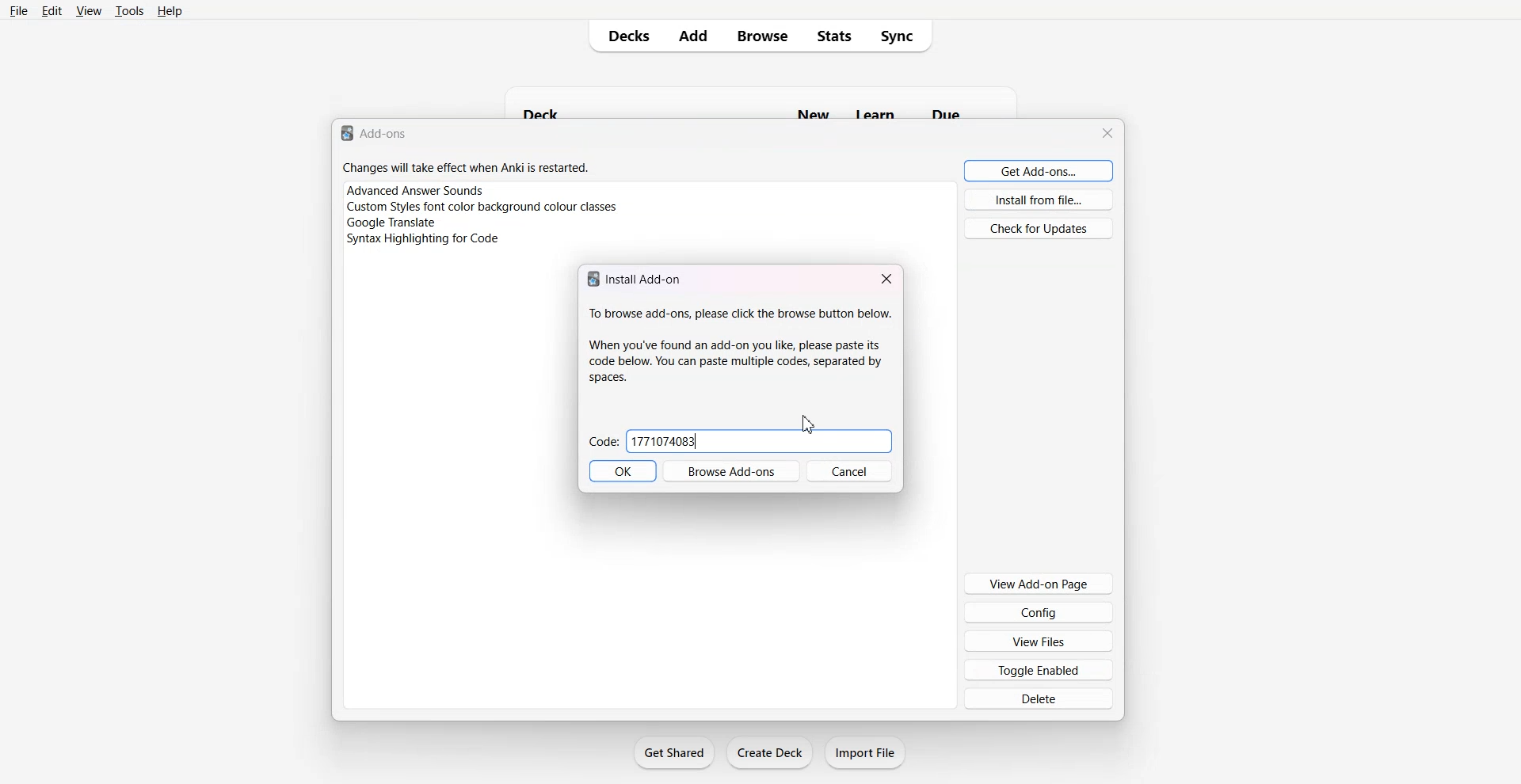 The width and height of the screenshot is (1521, 784). I want to click on Toggle Enabled, so click(1038, 669).